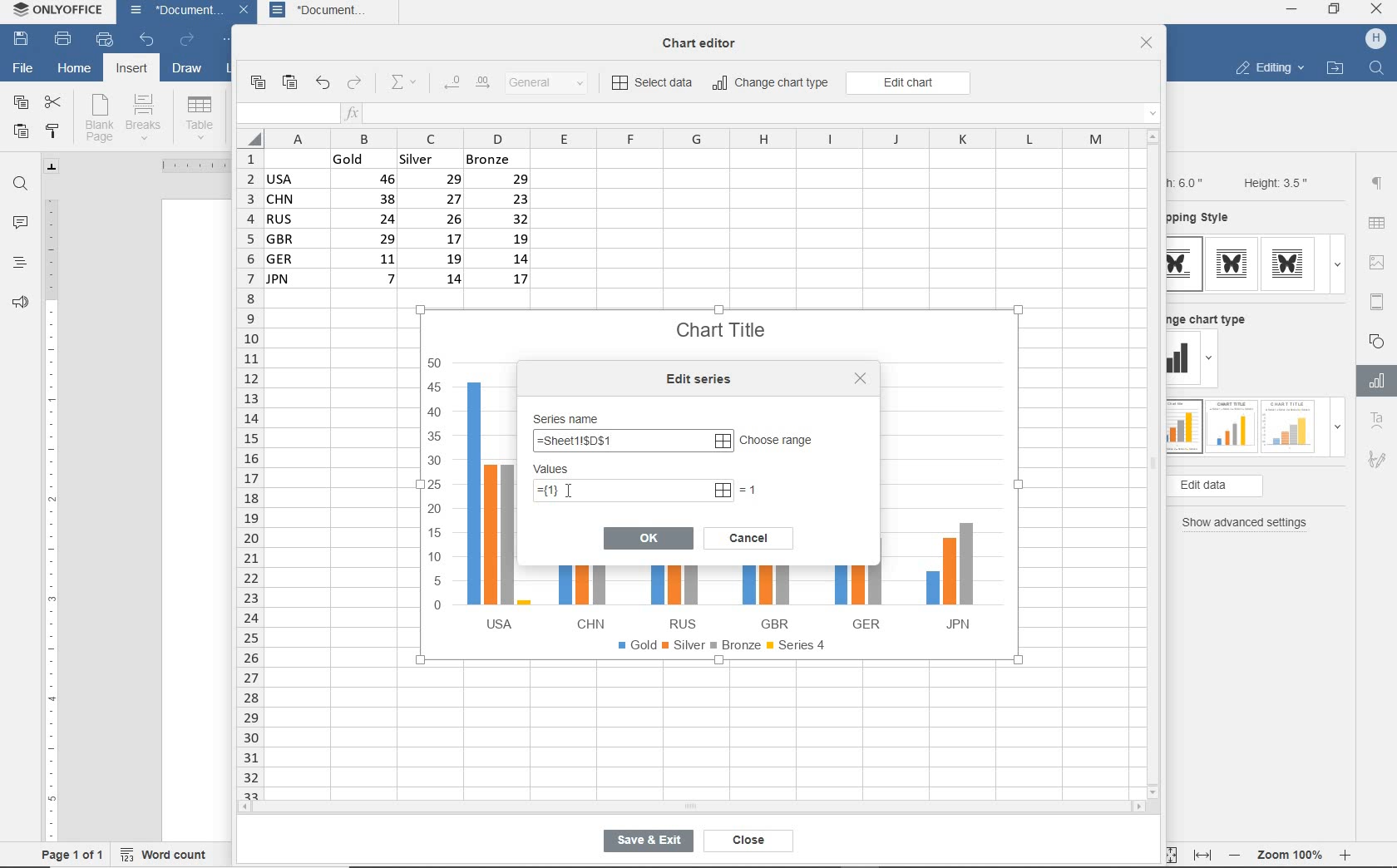 The height and width of the screenshot is (868, 1397). What do you see at coordinates (1167, 854) in the screenshot?
I see `fit to page` at bounding box center [1167, 854].